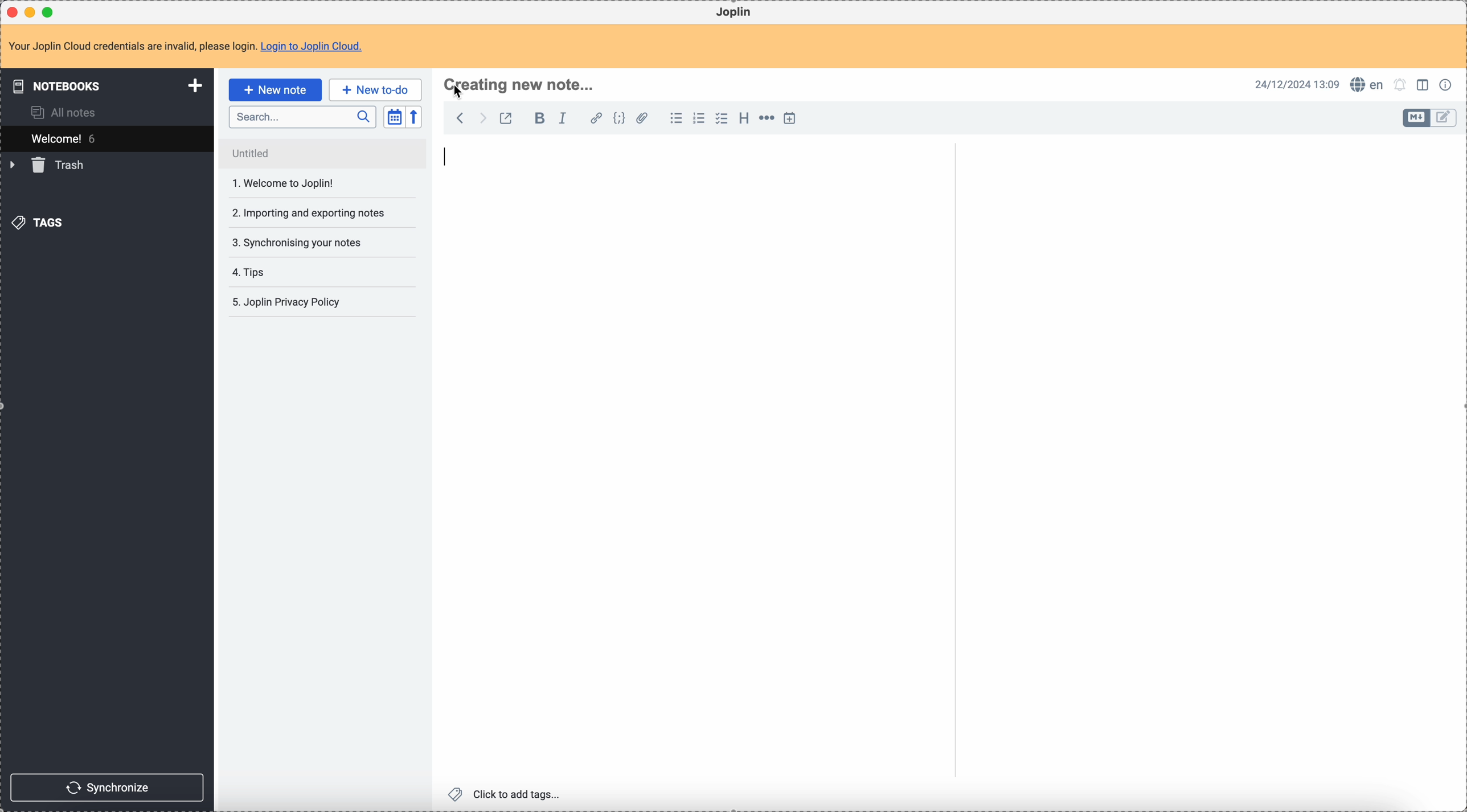 The image size is (1467, 812). Describe the element at coordinates (302, 117) in the screenshot. I see `search bar` at that location.